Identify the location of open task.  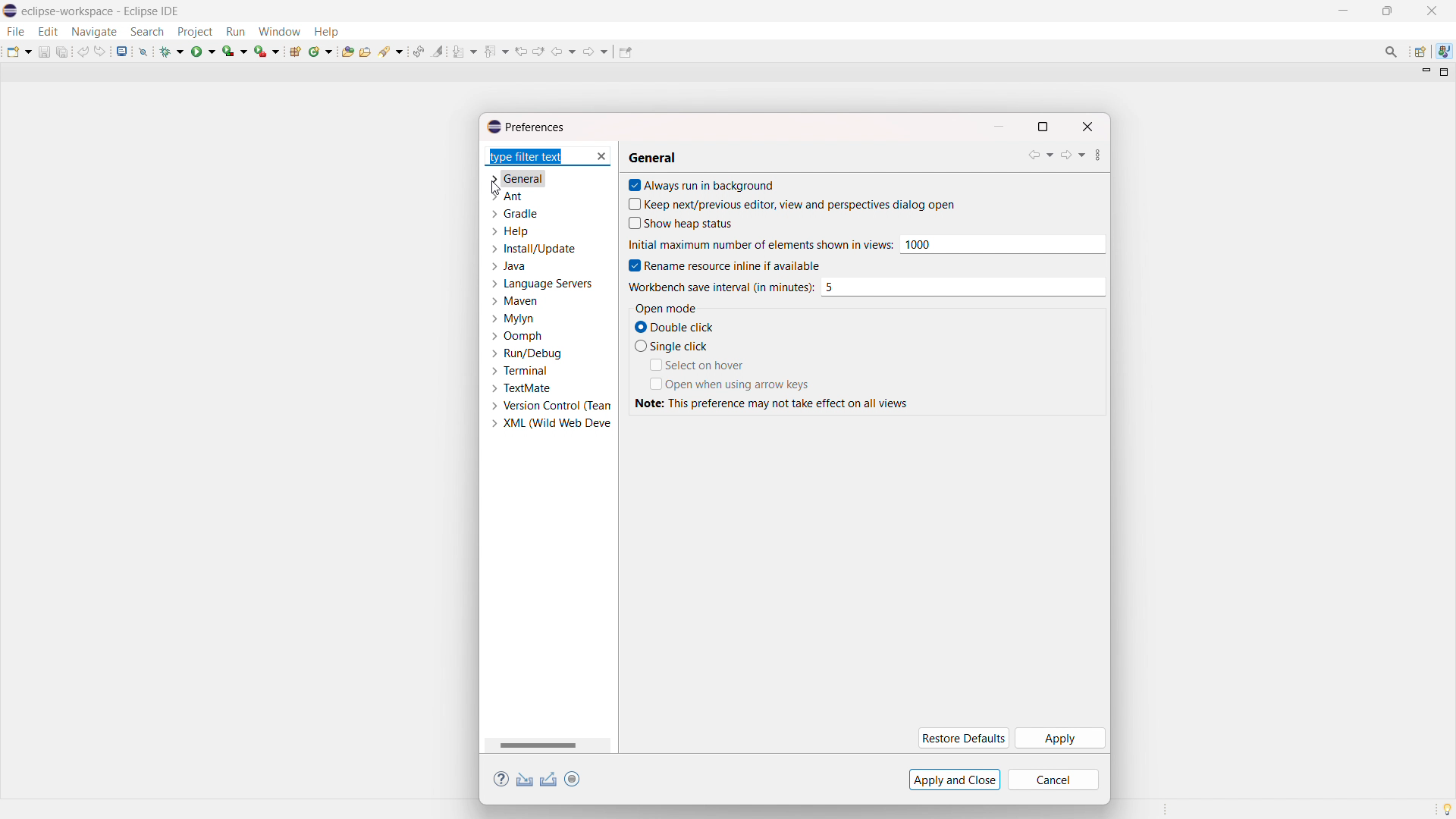
(367, 50).